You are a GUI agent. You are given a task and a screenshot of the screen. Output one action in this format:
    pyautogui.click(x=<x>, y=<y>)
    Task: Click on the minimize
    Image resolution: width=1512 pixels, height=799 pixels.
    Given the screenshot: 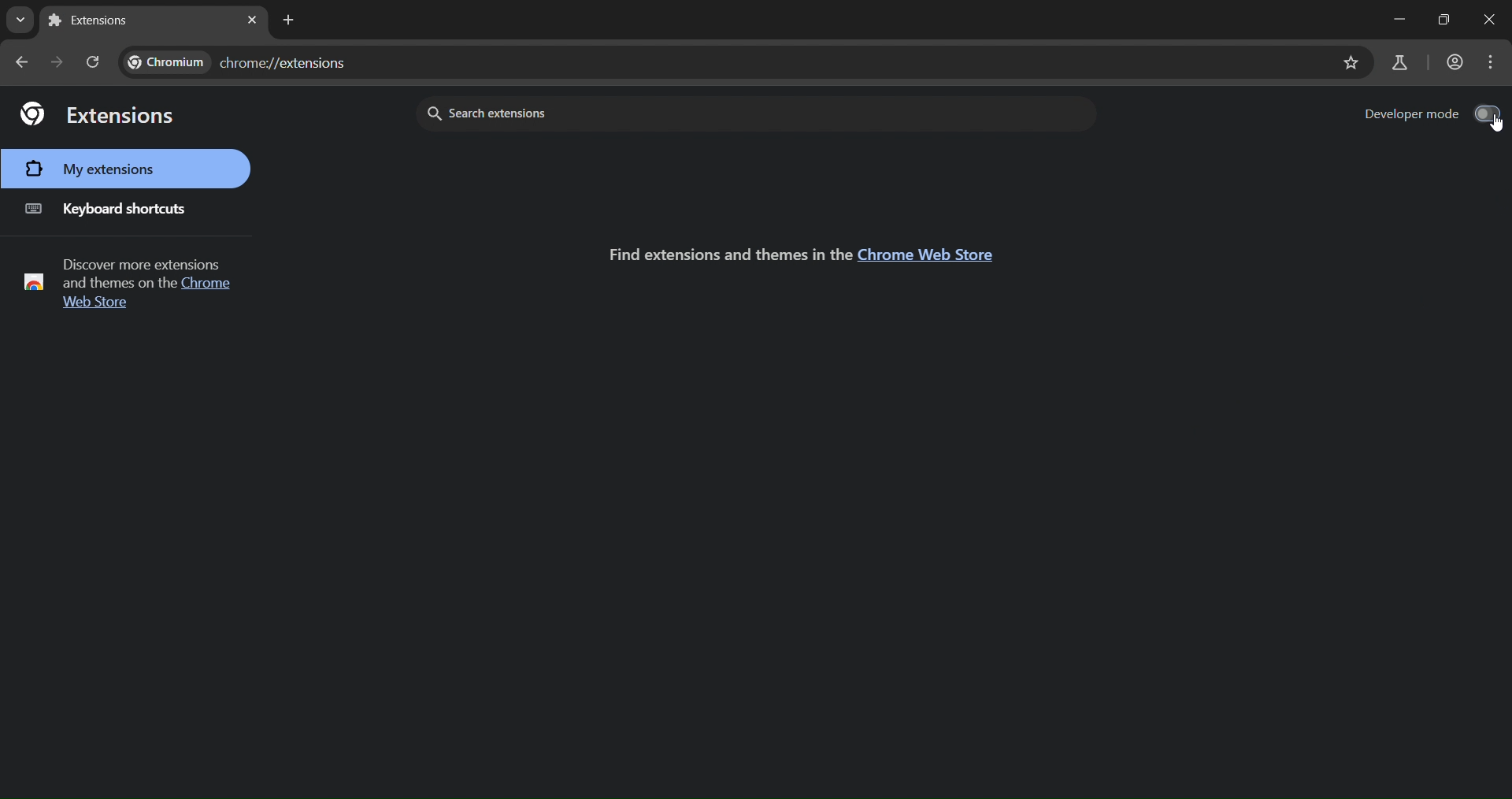 What is the action you would take?
    pyautogui.click(x=1391, y=17)
    